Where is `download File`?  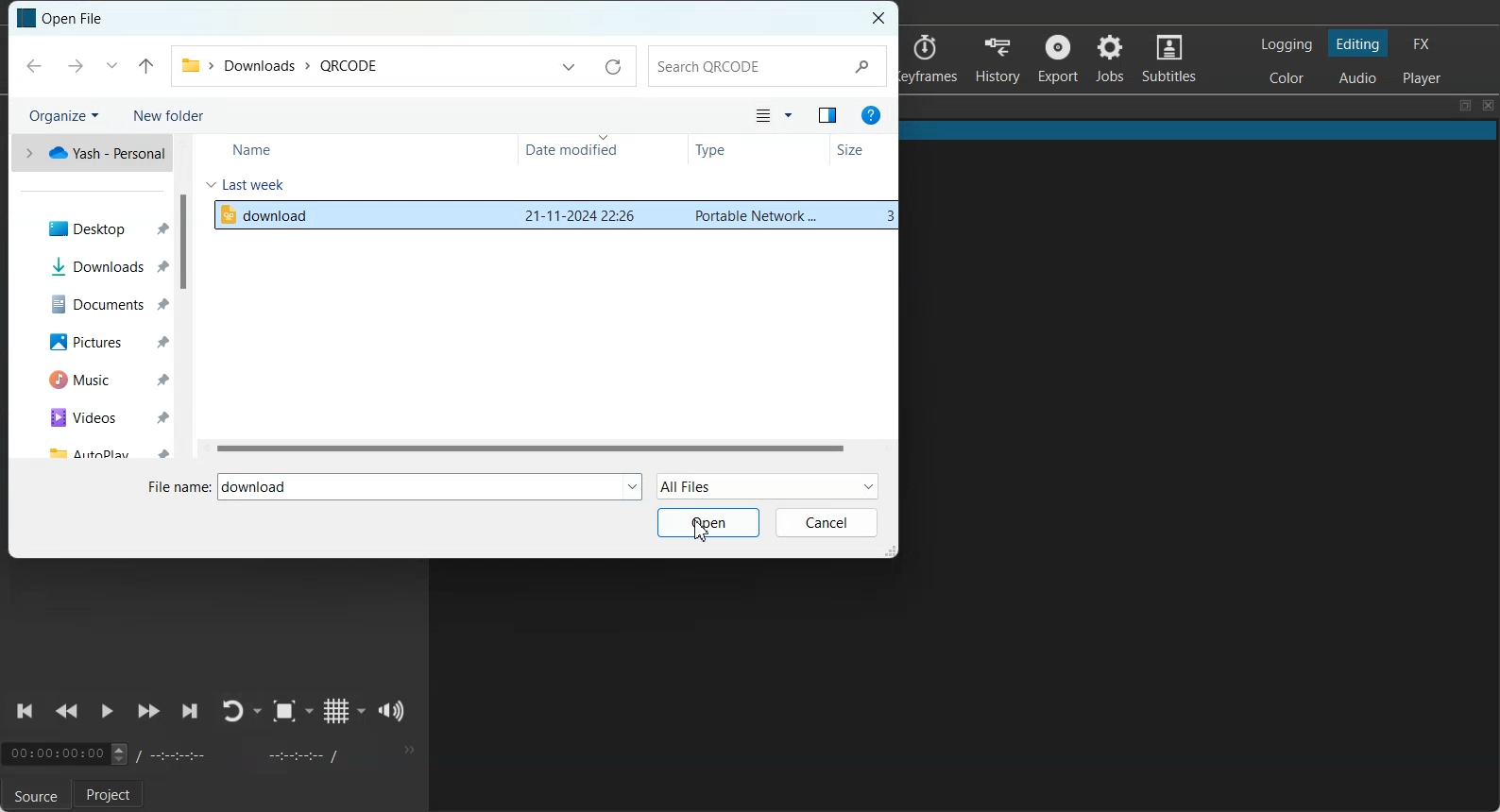
download File is located at coordinates (264, 213).